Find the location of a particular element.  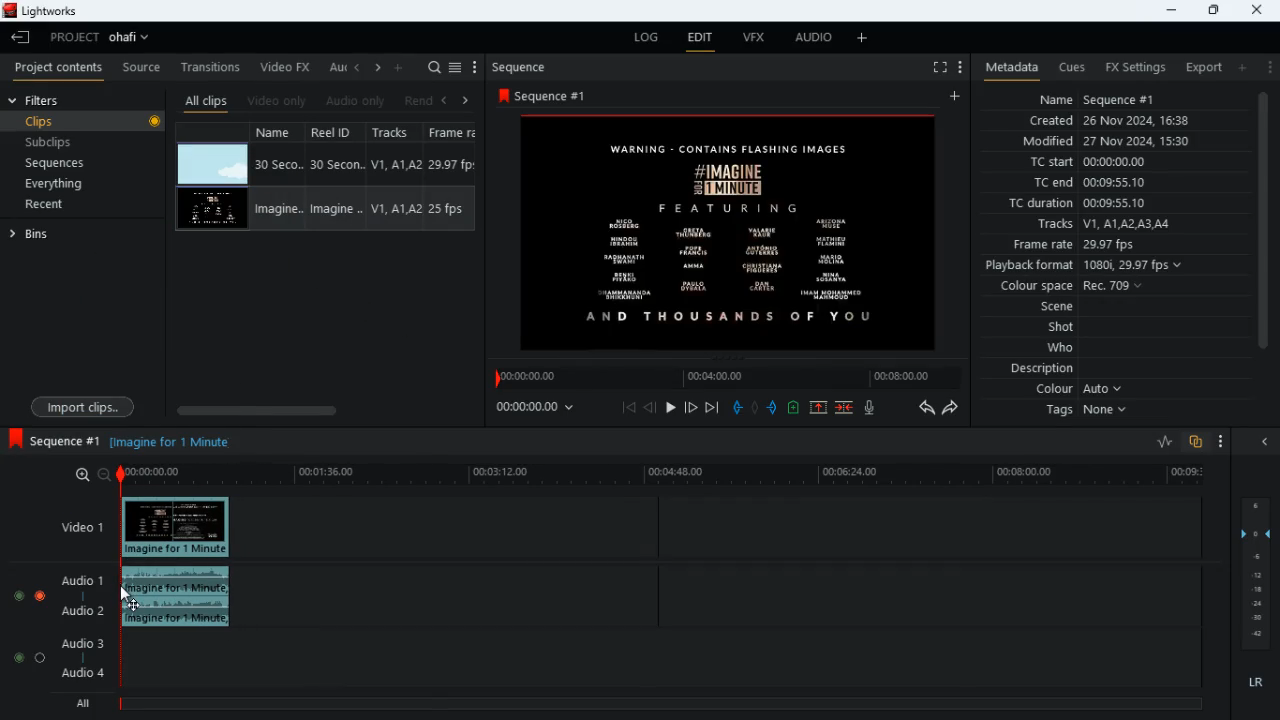

toggle is located at coordinates (41, 657).